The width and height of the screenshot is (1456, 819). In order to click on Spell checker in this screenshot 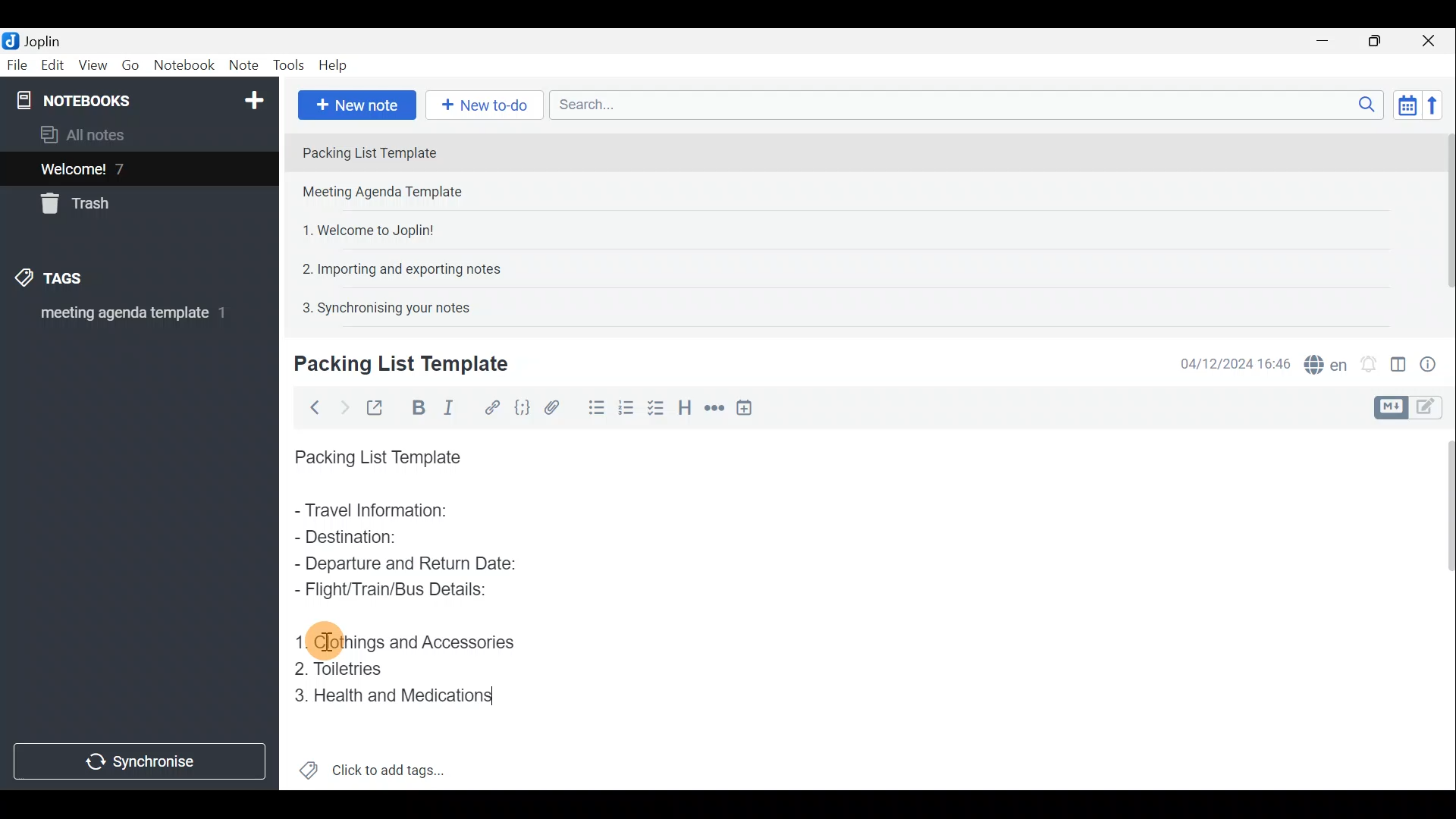, I will do `click(1322, 362)`.